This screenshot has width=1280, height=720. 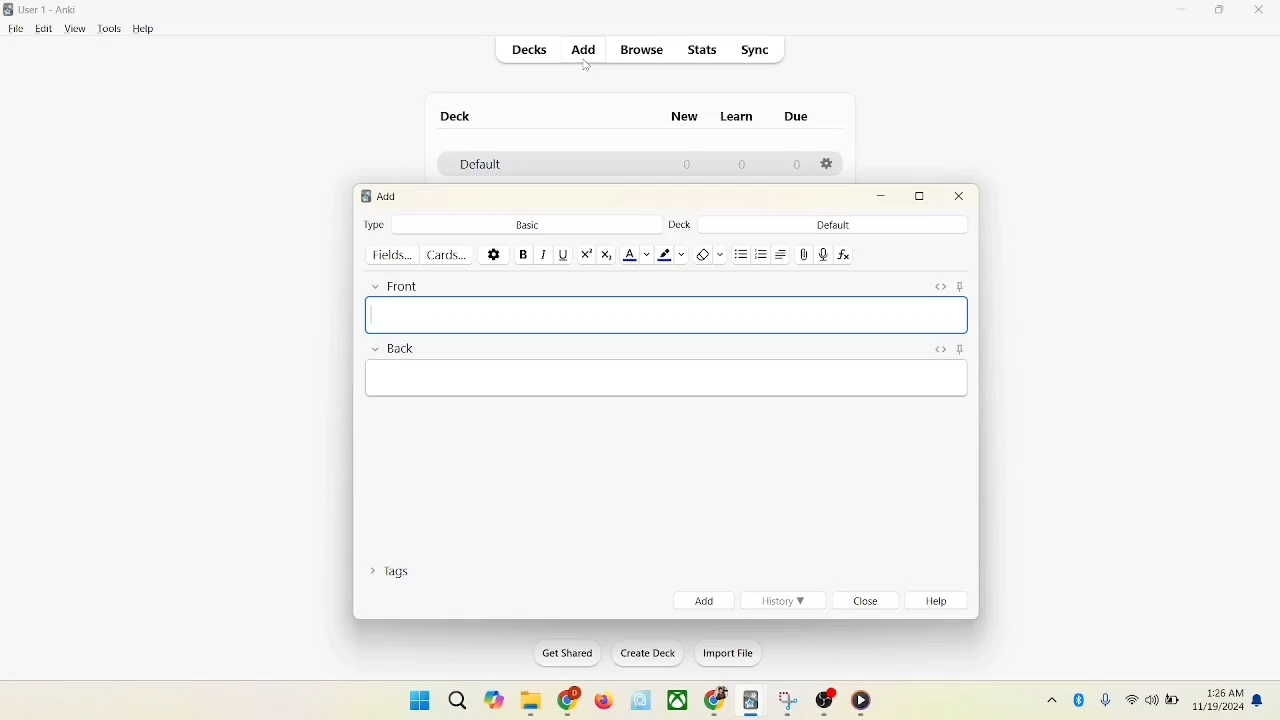 I want to click on settings, so click(x=494, y=253).